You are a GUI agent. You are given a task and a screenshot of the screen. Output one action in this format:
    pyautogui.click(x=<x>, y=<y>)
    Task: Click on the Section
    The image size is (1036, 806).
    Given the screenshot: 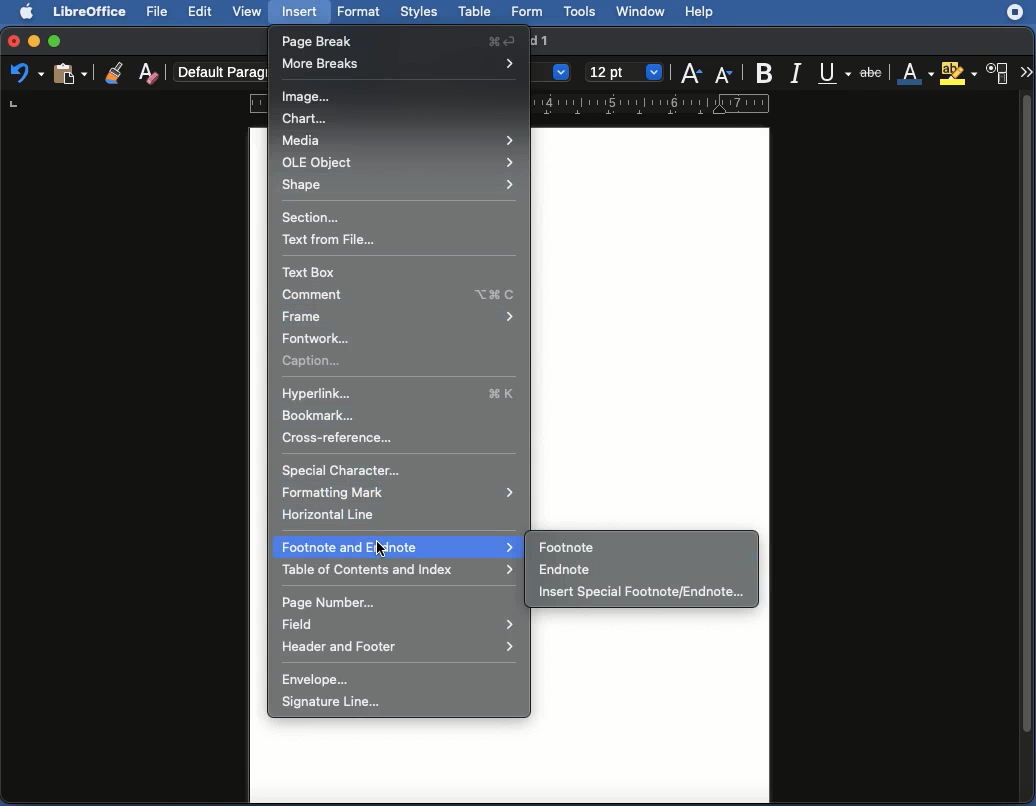 What is the action you would take?
    pyautogui.click(x=319, y=218)
    